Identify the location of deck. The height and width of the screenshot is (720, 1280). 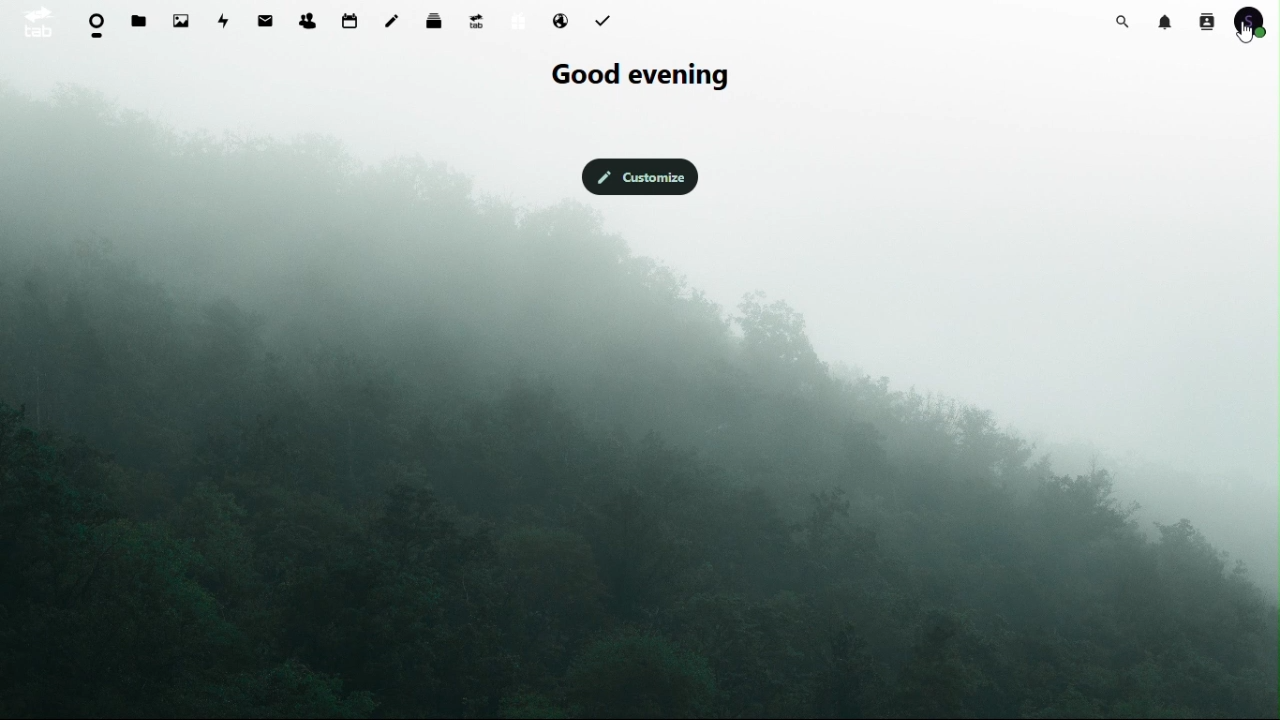
(438, 19).